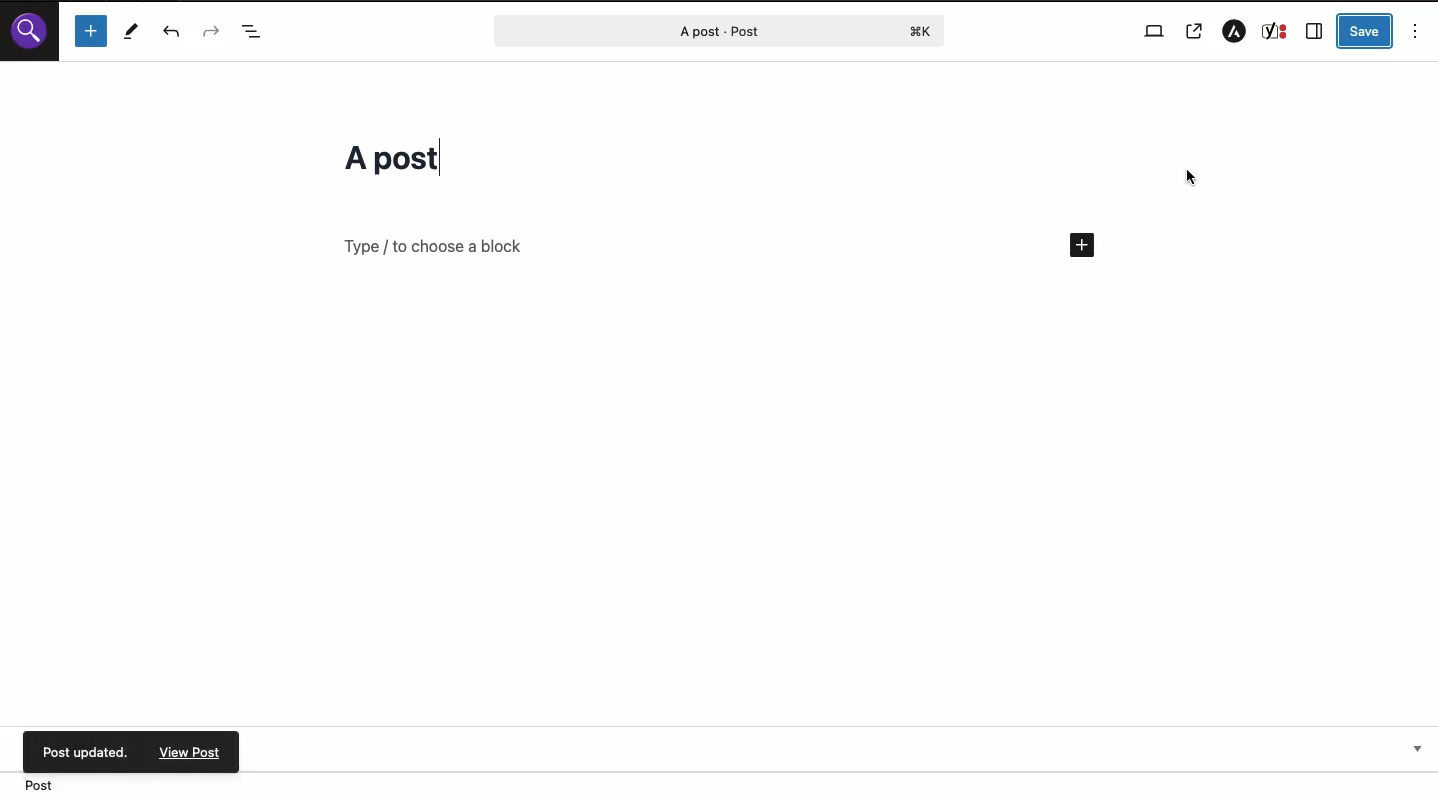  What do you see at coordinates (189, 750) in the screenshot?
I see `View post` at bounding box center [189, 750].